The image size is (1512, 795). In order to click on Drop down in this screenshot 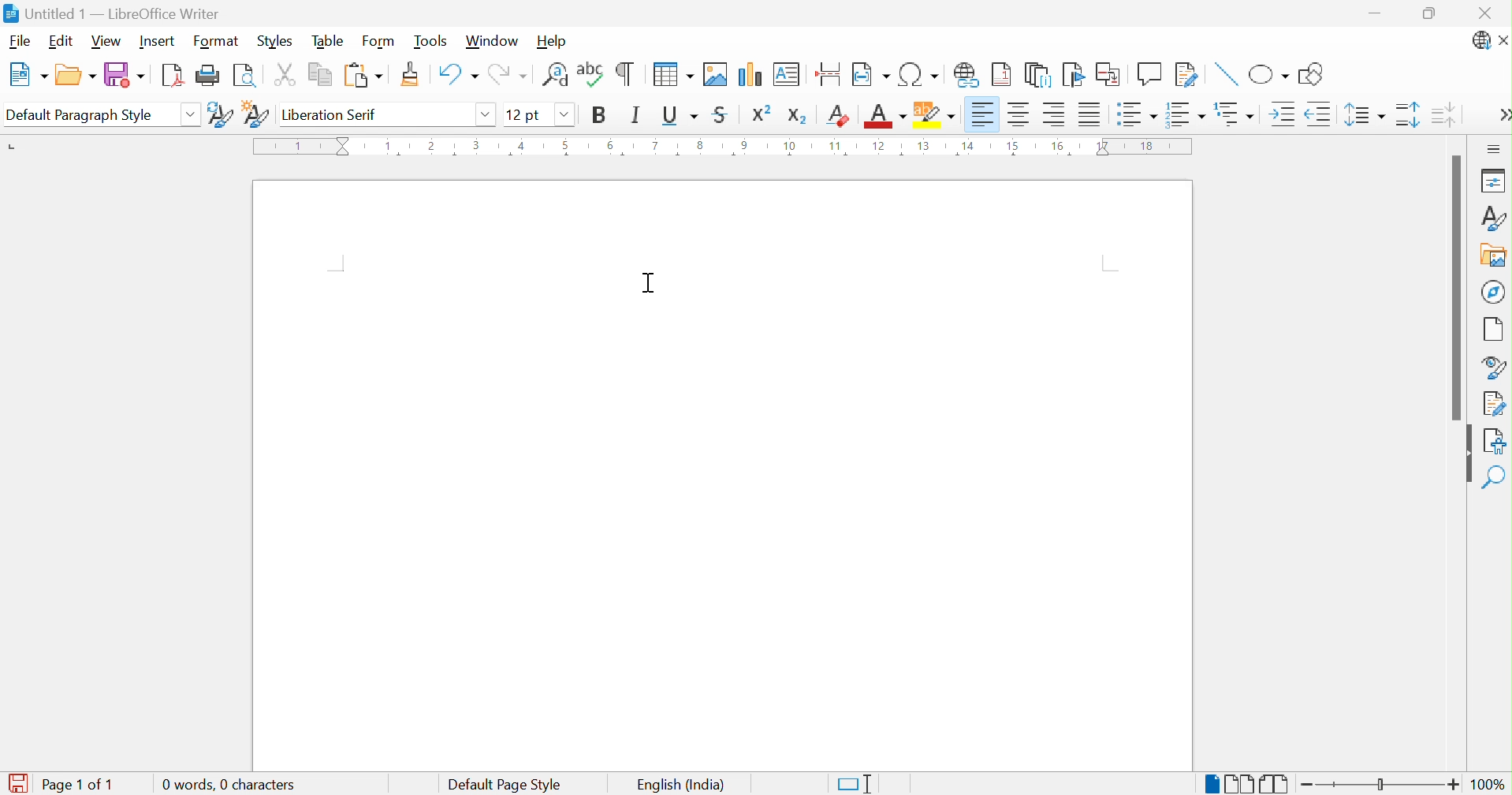, I will do `click(191, 117)`.